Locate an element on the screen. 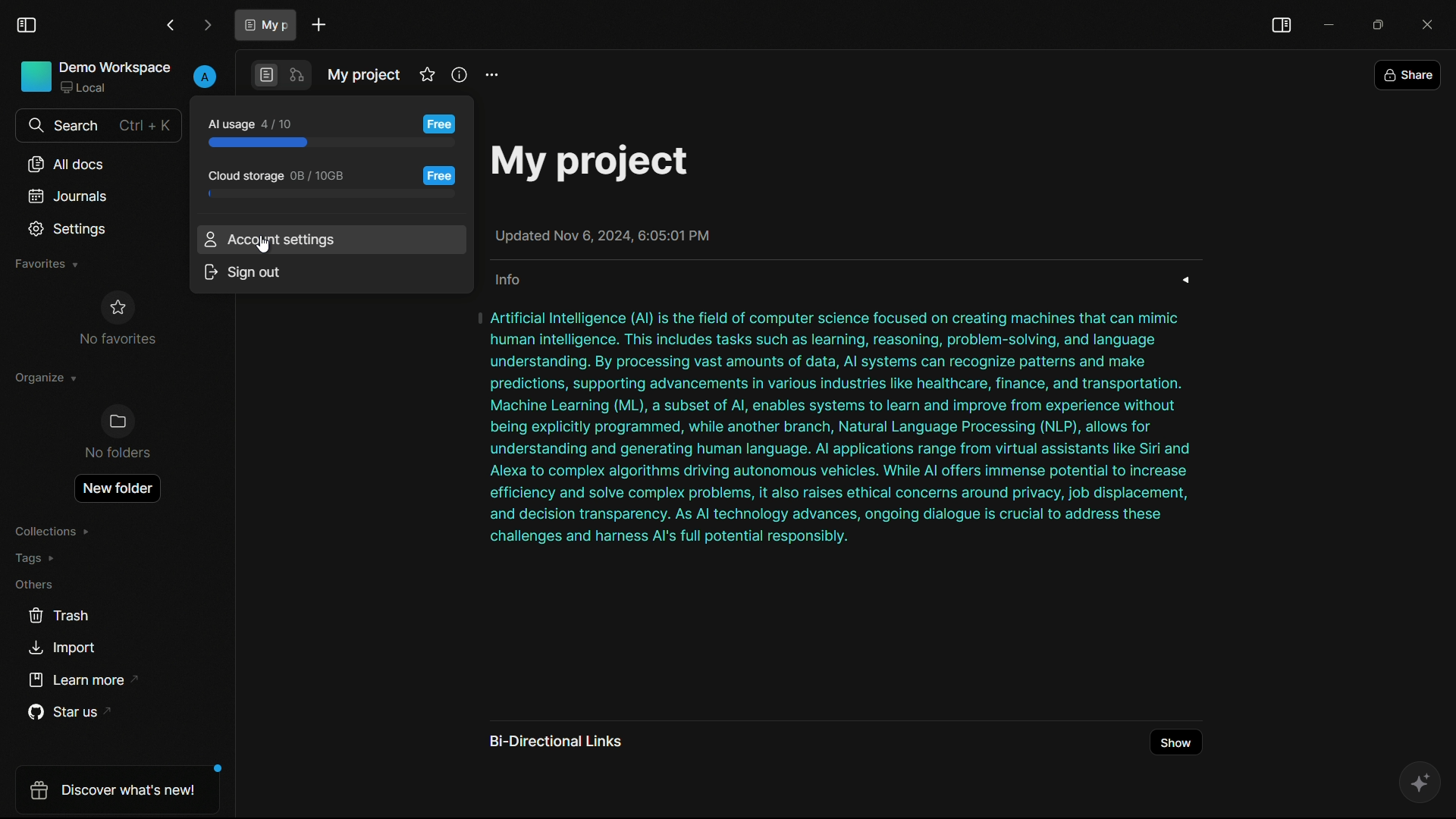  star us is located at coordinates (64, 714).